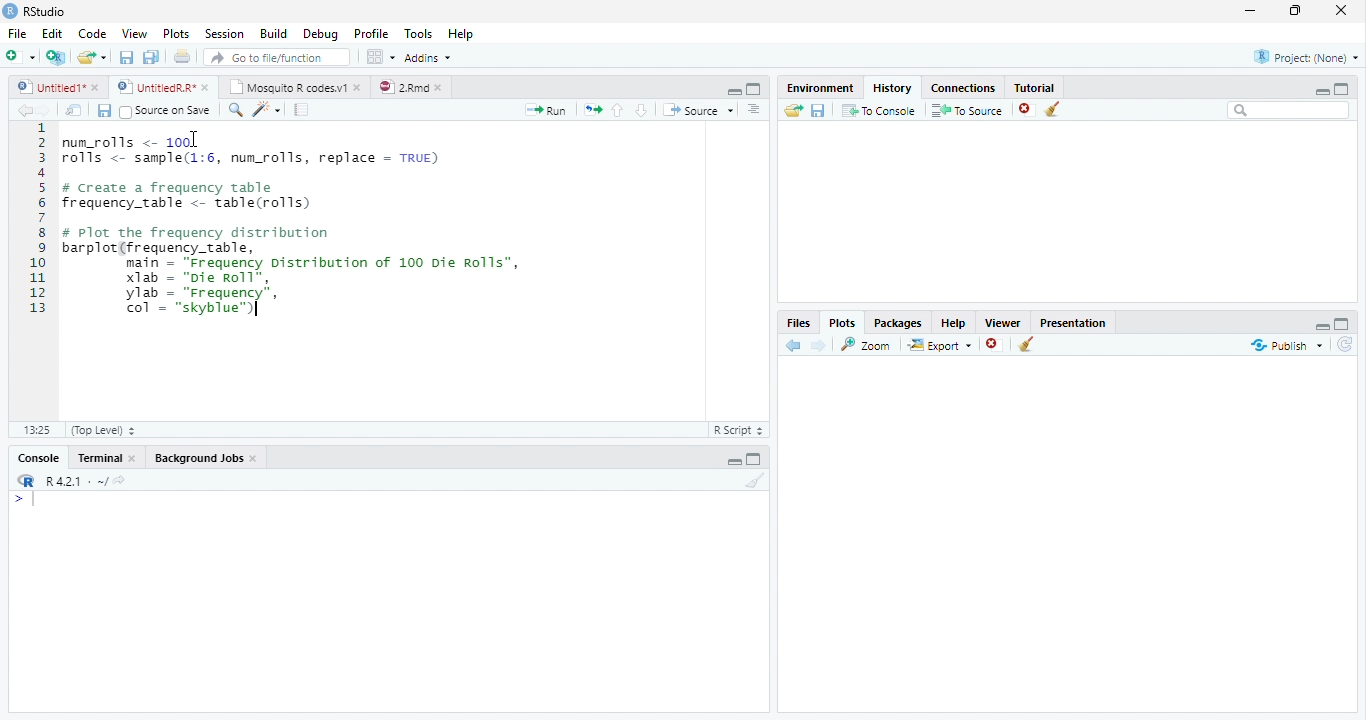  I want to click on Open an existing file, so click(92, 57).